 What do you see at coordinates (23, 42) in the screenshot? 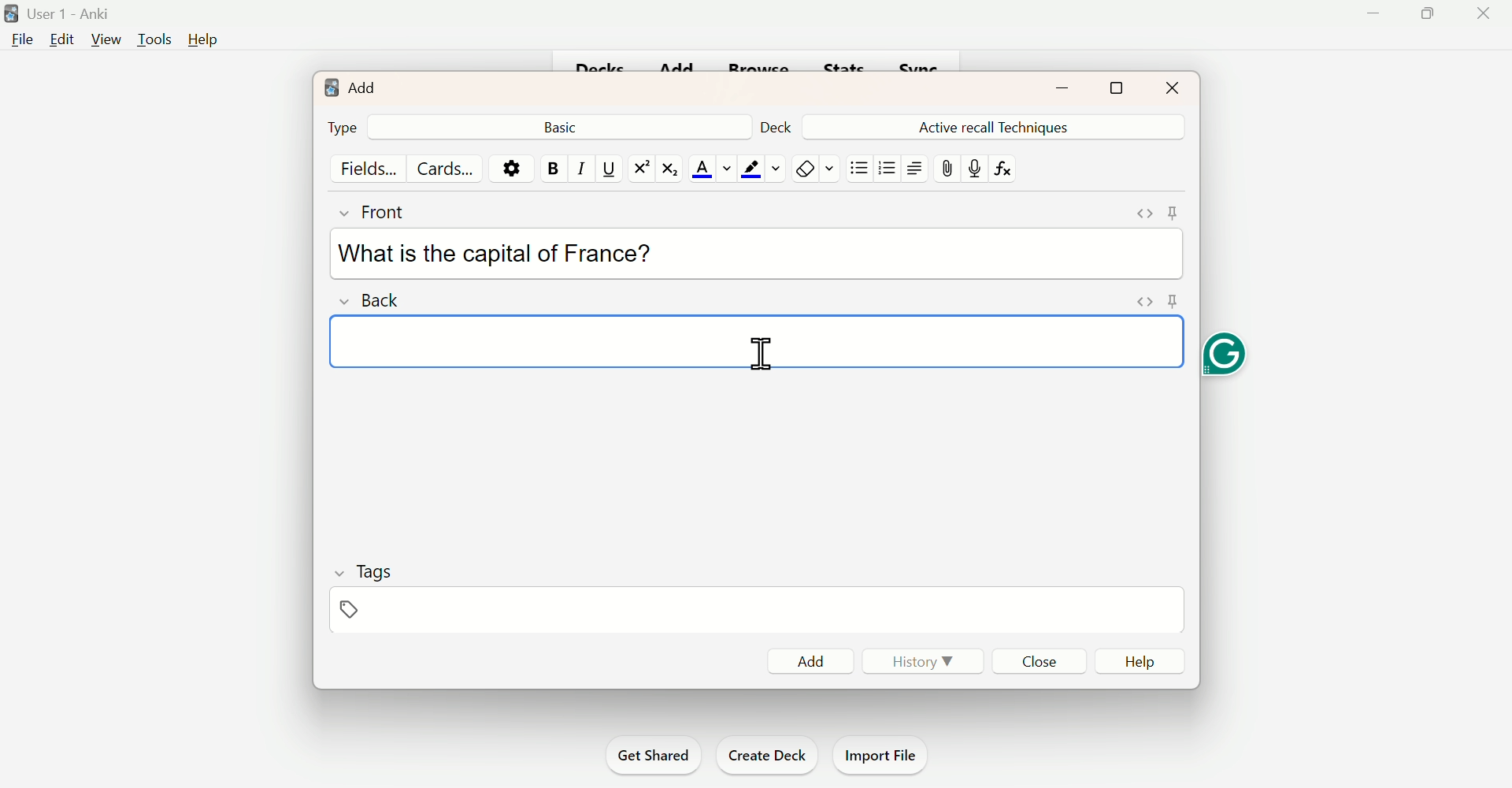
I see `File` at bounding box center [23, 42].